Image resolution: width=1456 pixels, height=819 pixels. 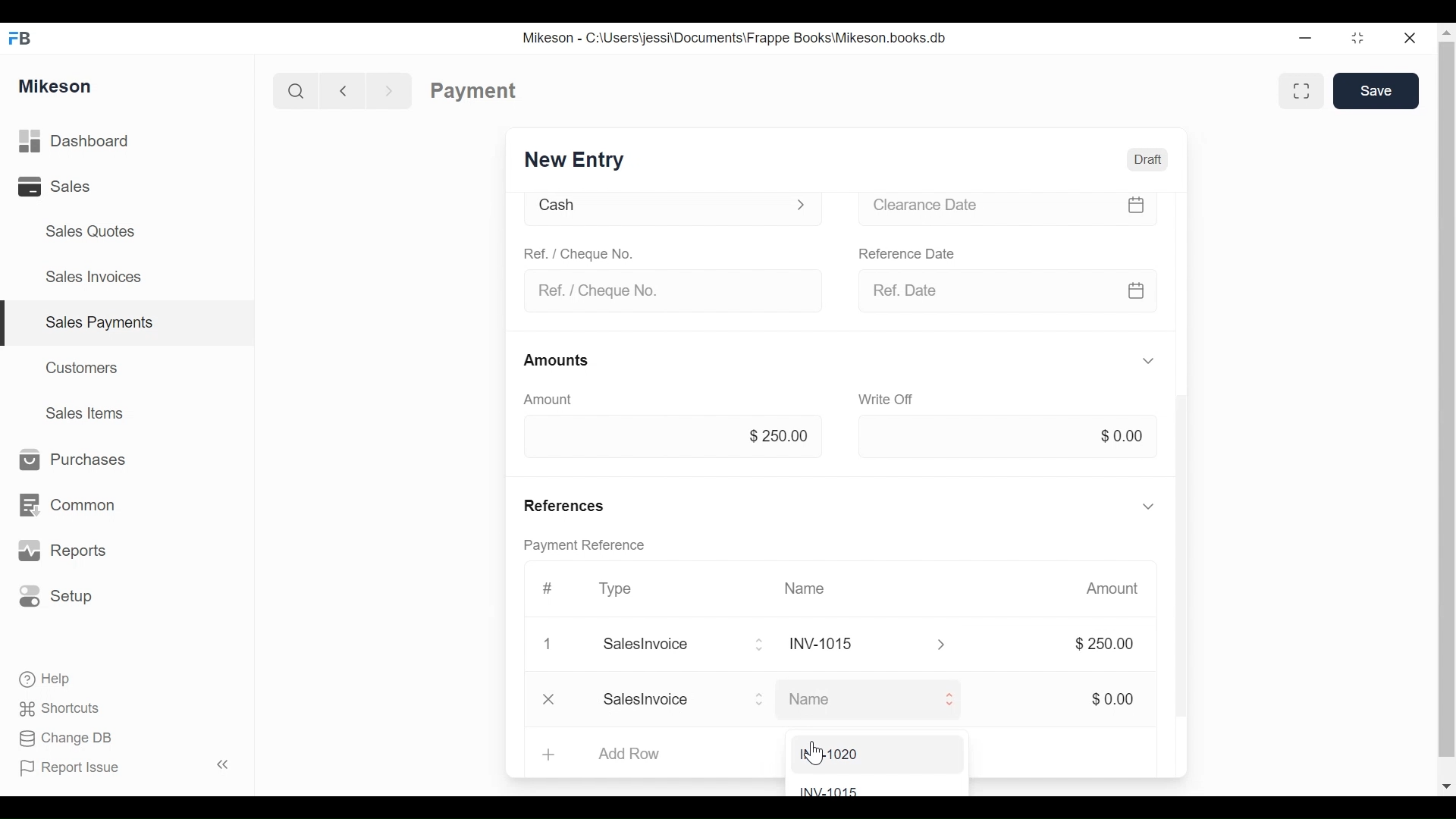 What do you see at coordinates (555, 400) in the screenshot?
I see `Amount` at bounding box center [555, 400].